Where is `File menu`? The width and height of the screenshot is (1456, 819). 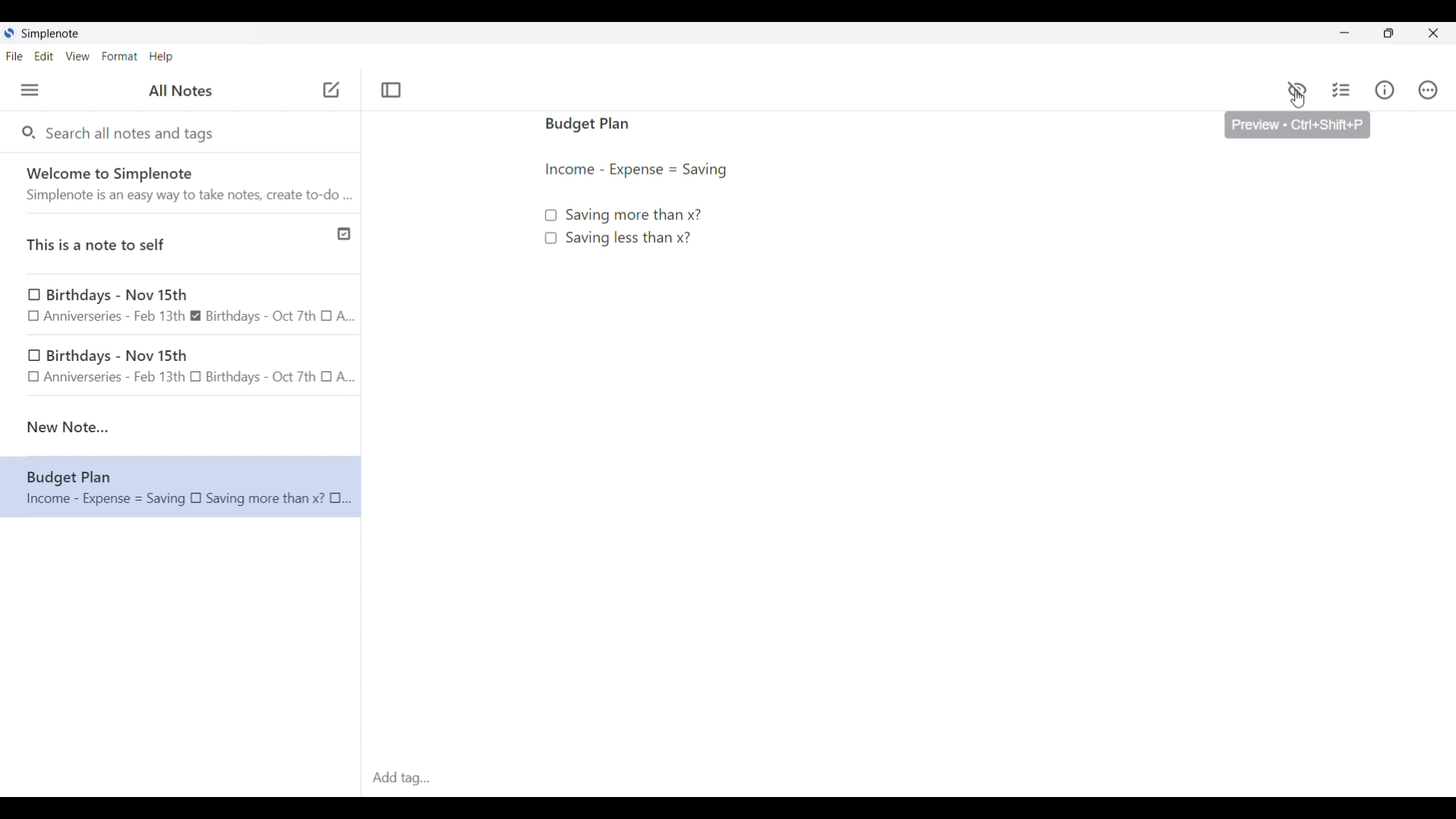
File menu is located at coordinates (14, 55).